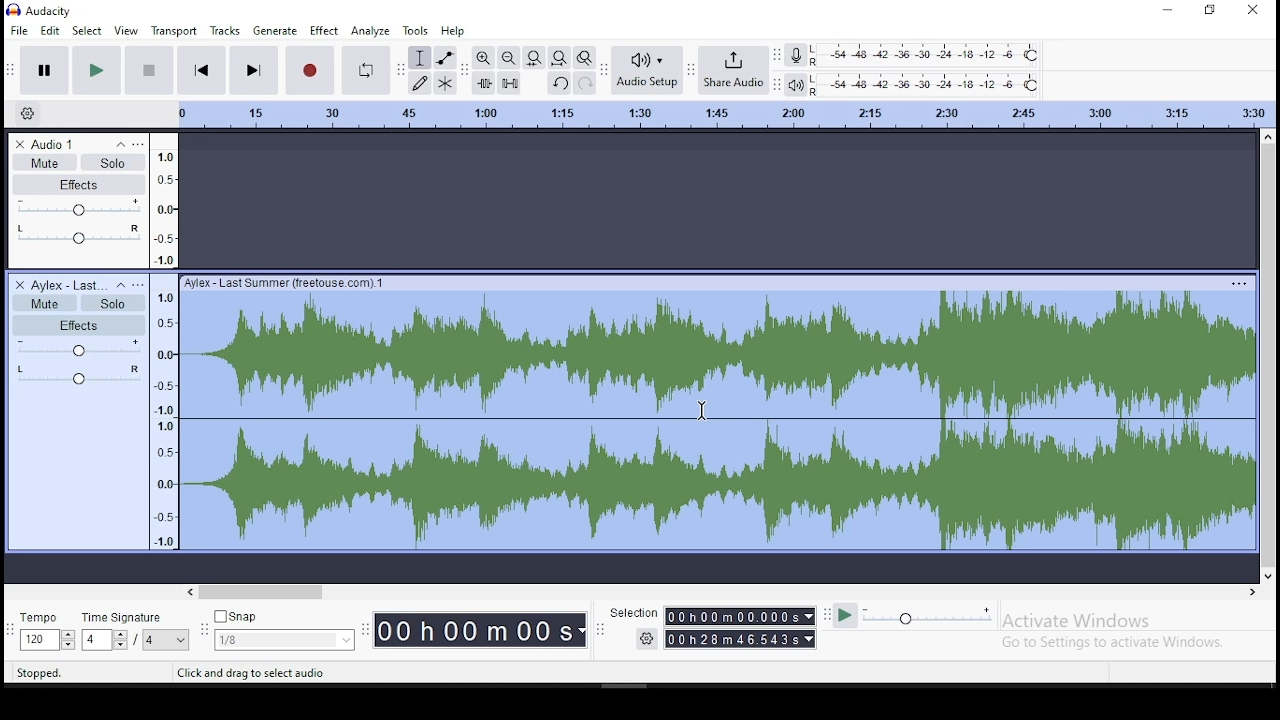 This screenshot has width=1280, height=720. Describe the element at coordinates (480, 627) in the screenshot. I see `timer` at that location.